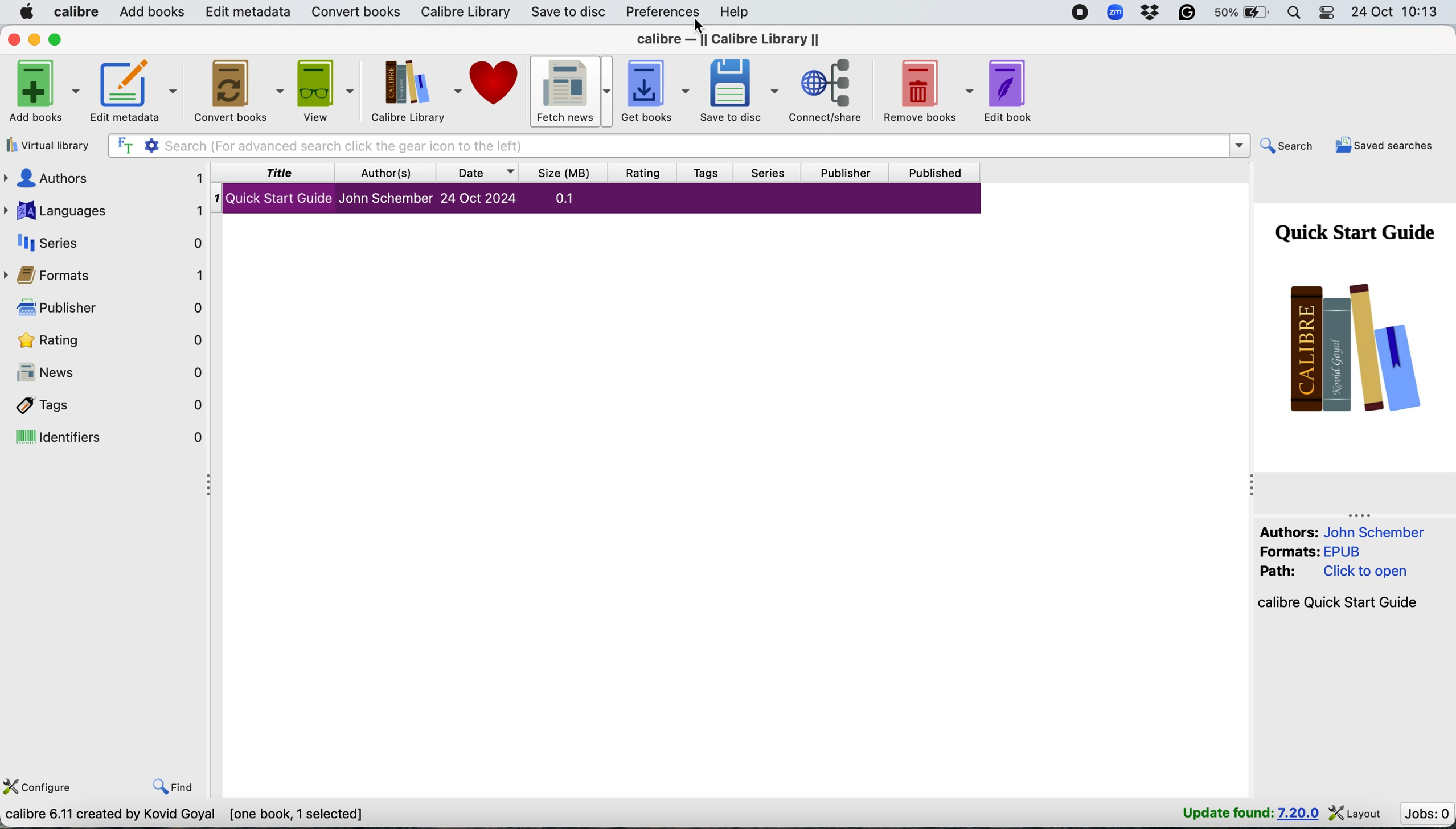 The width and height of the screenshot is (1456, 829). I want to click on search, so click(1286, 146).